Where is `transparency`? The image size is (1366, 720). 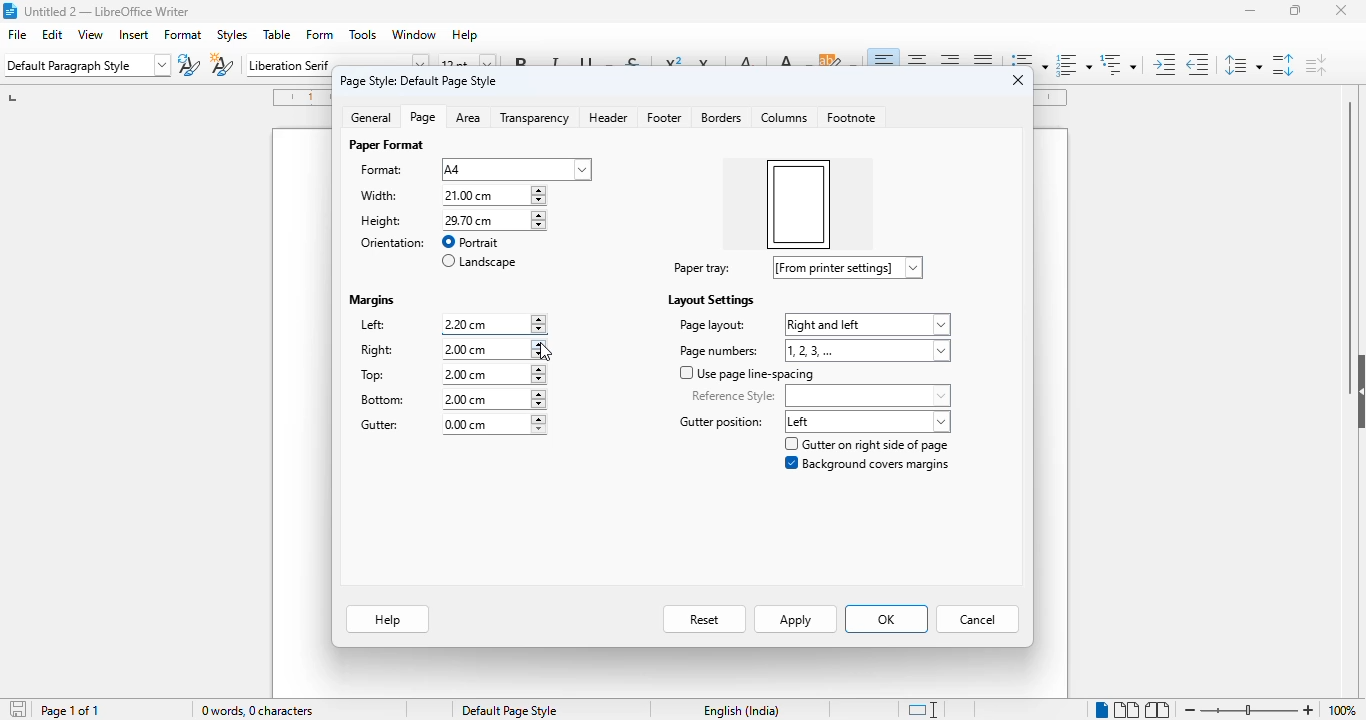
transparency is located at coordinates (535, 118).